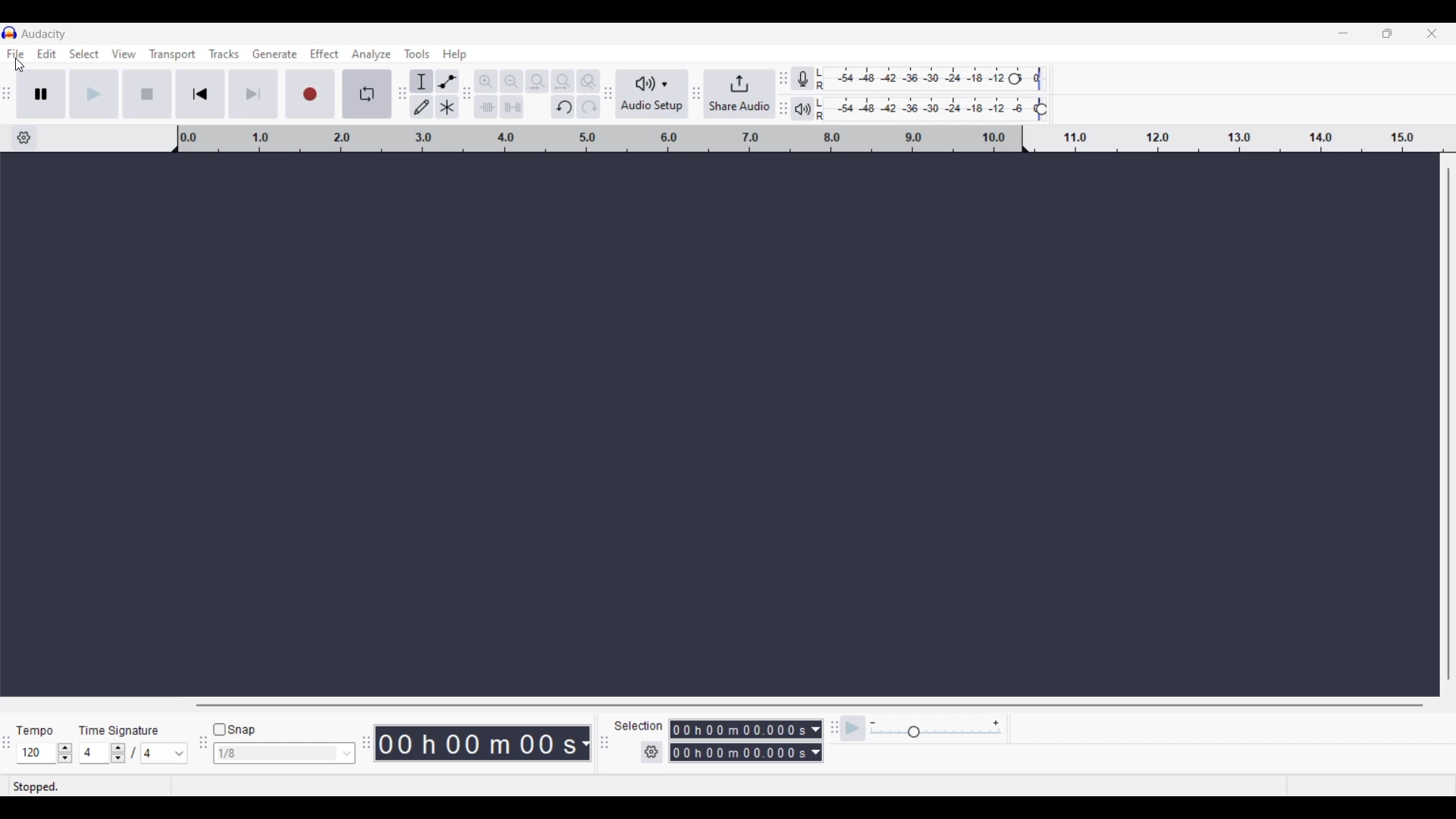 Image resolution: width=1456 pixels, height=819 pixels. Describe the element at coordinates (585, 108) in the screenshot. I see `Redo` at that location.